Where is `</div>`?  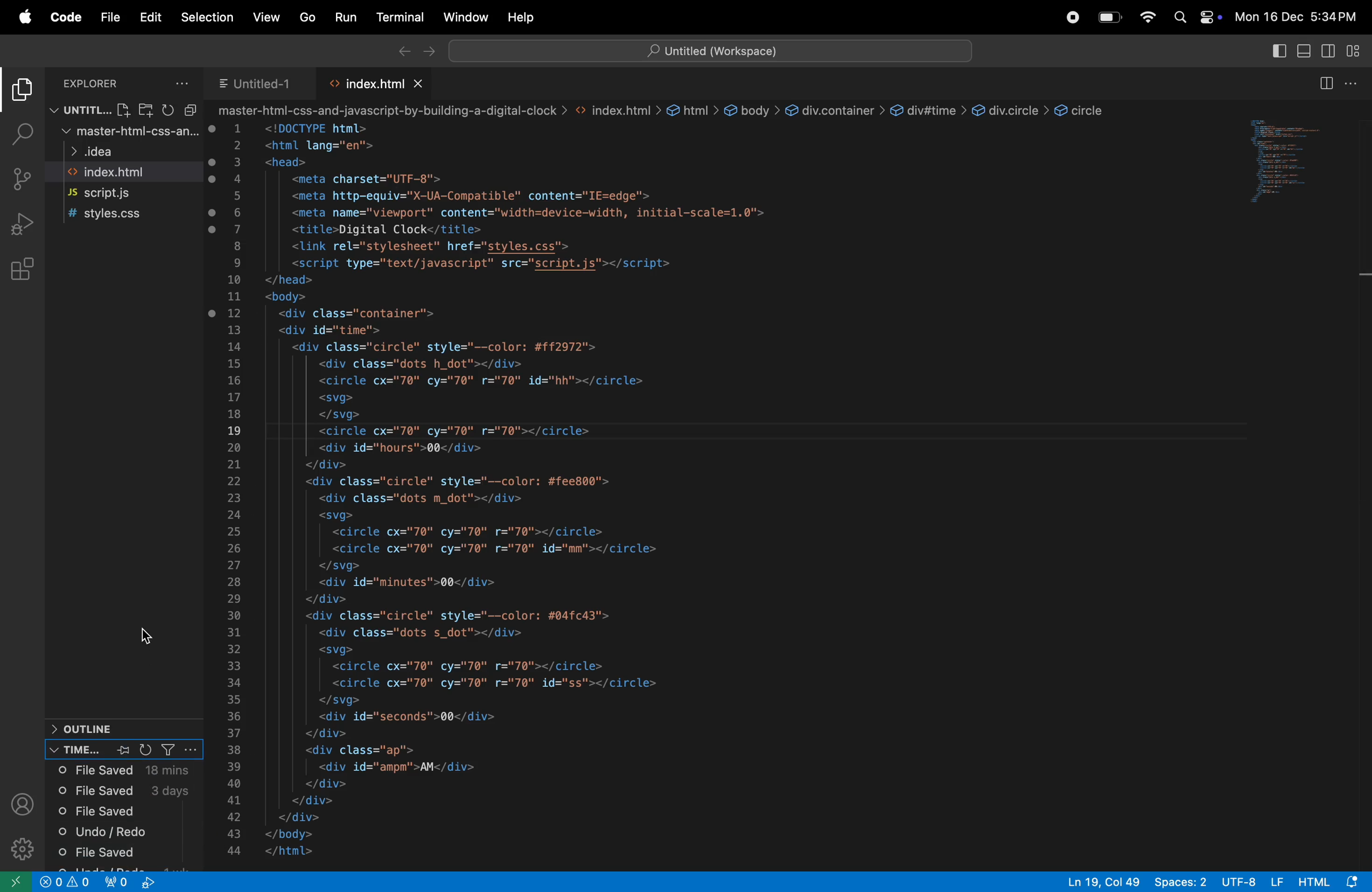 </div> is located at coordinates (330, 598).